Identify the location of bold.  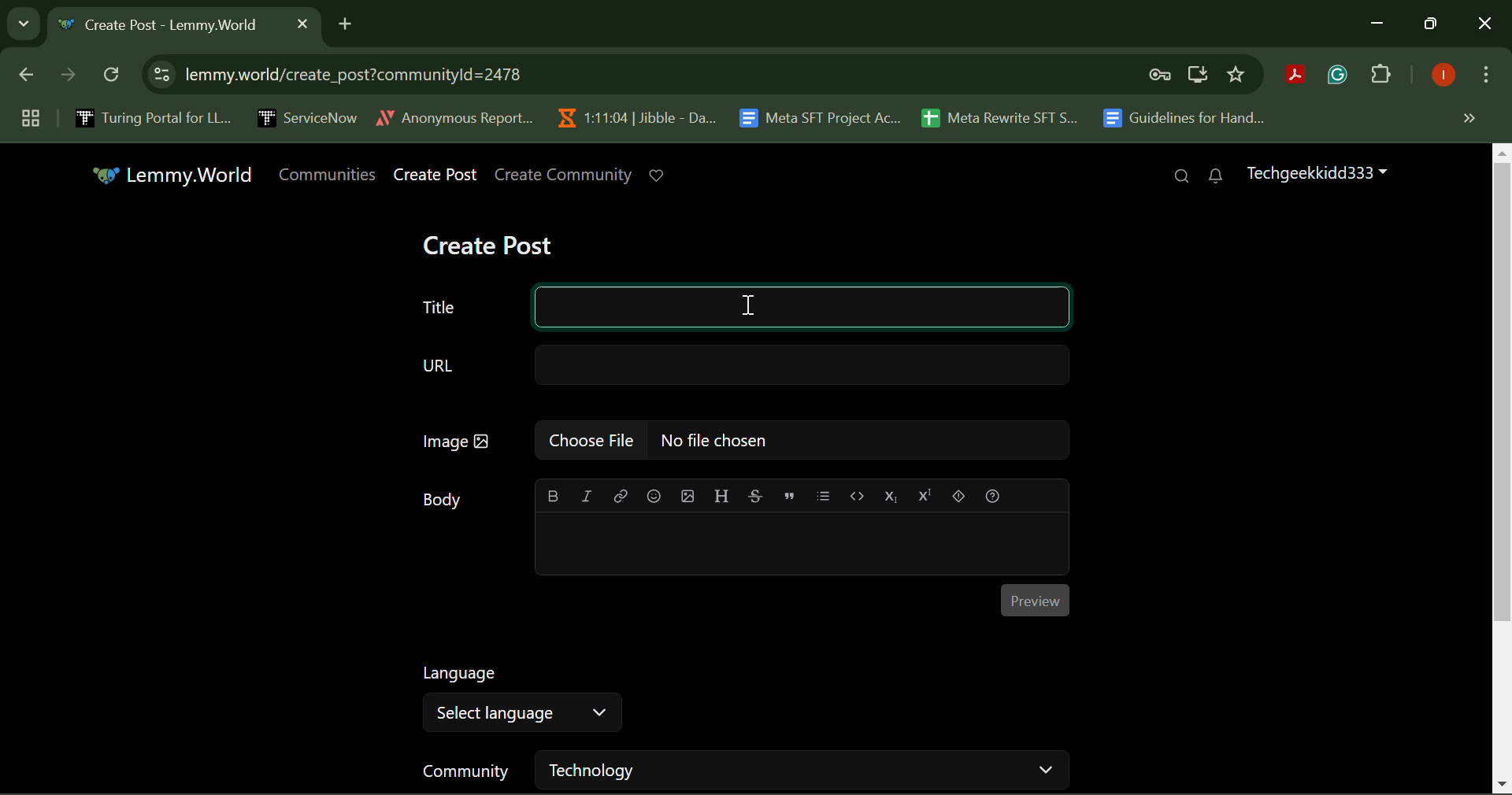
(553, 496).